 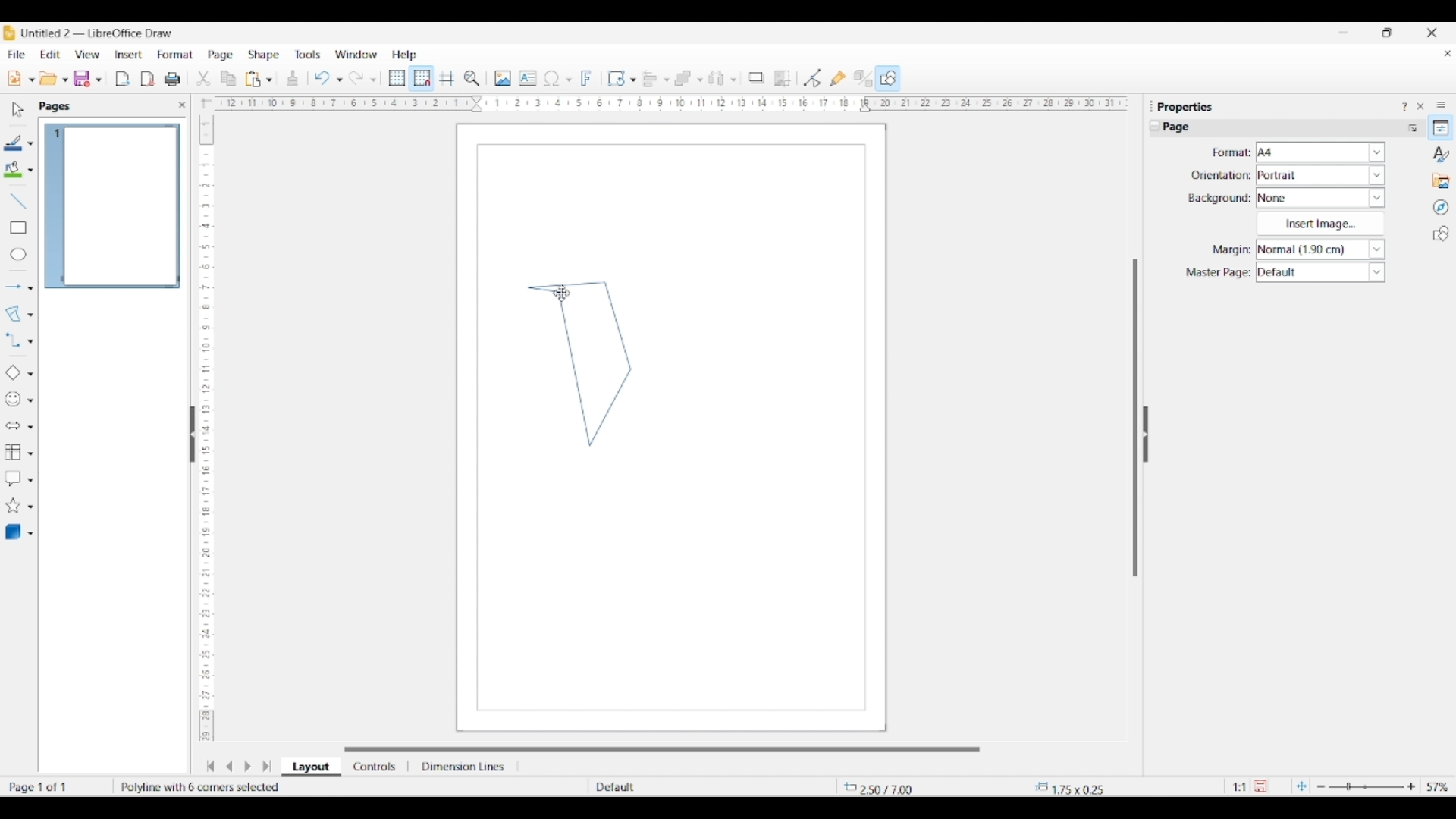 I want to click on Insert image, so click(x=503, y=78).